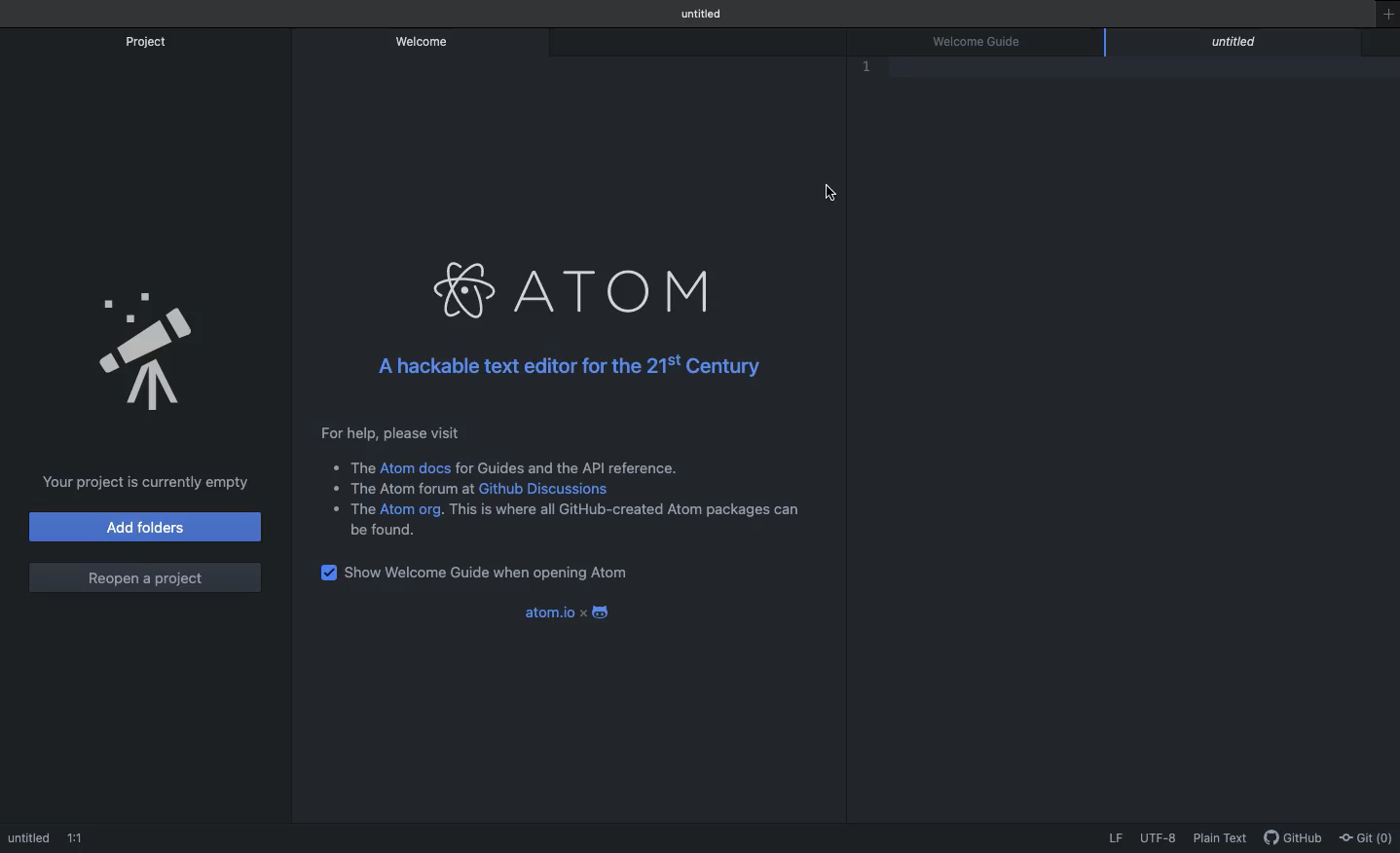 The image size is (1400, 853). I want to click on Close, so click(1348, 42).